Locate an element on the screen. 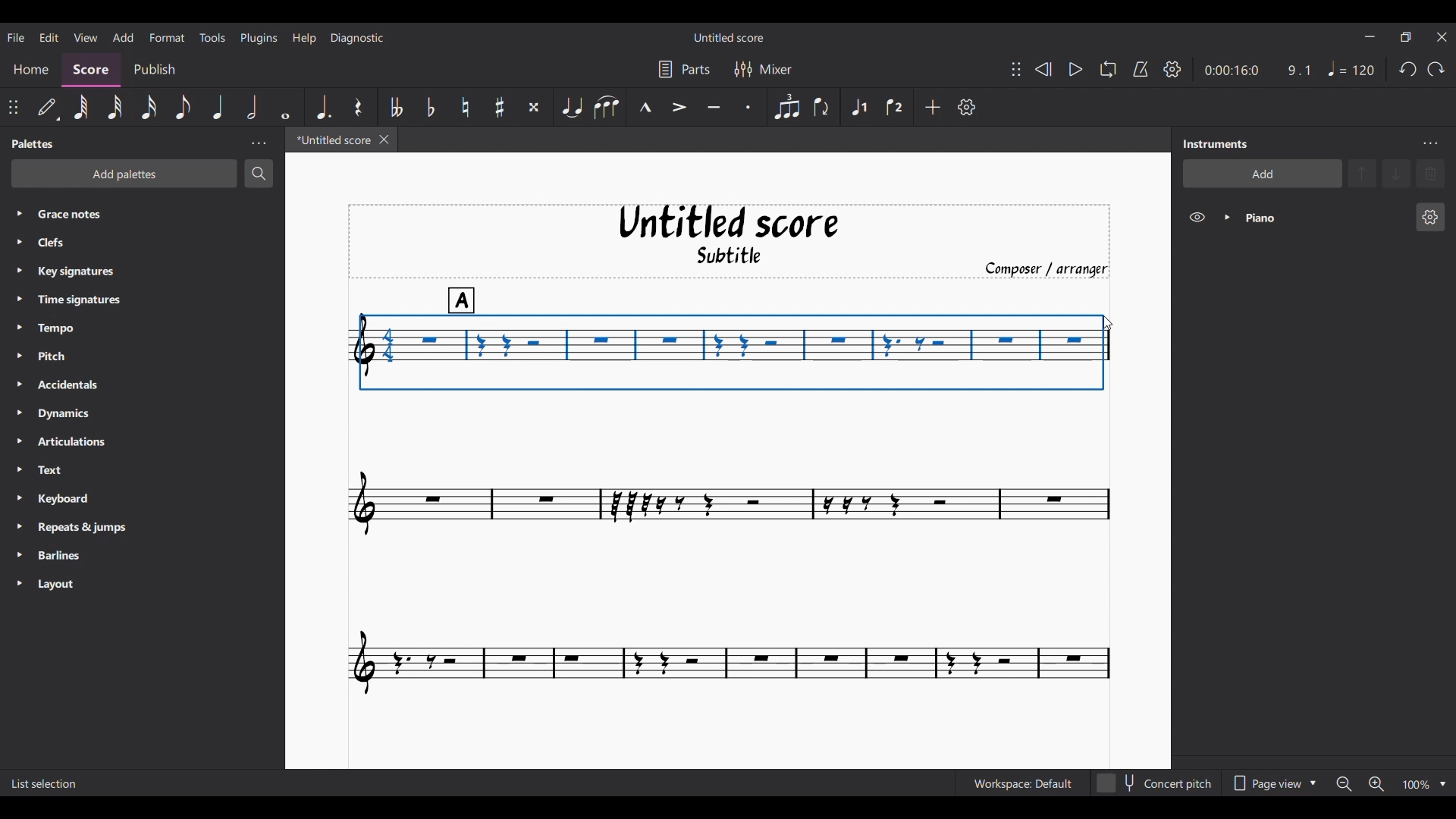 This screenshot has height=819, width=1456. Untitled score is located at coordinates (729, 222).